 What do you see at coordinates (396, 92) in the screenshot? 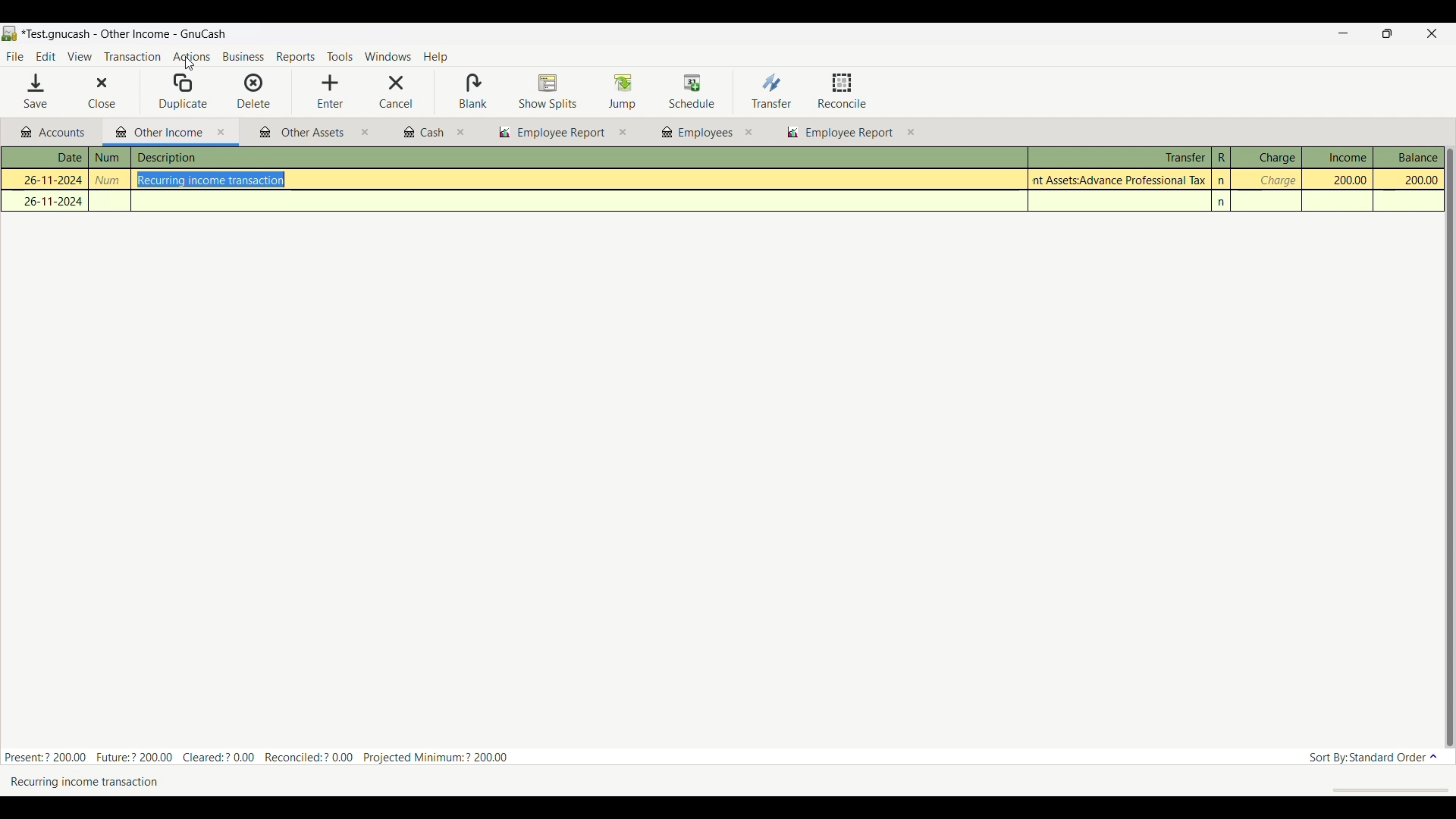
I see `Cancel` at bounding box center [396, 92].